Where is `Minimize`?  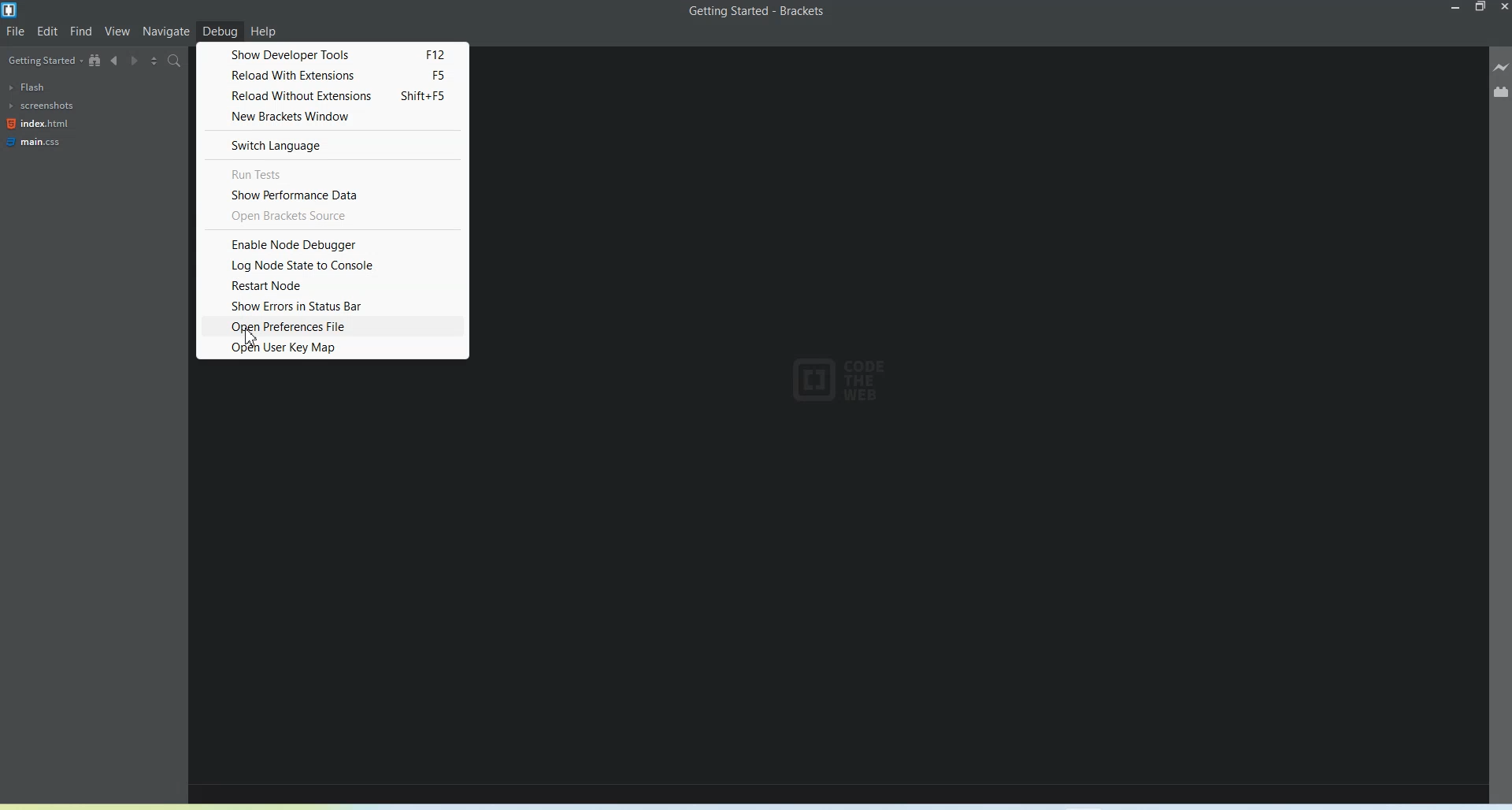 Minimize is located at coordinates (1458, 8).